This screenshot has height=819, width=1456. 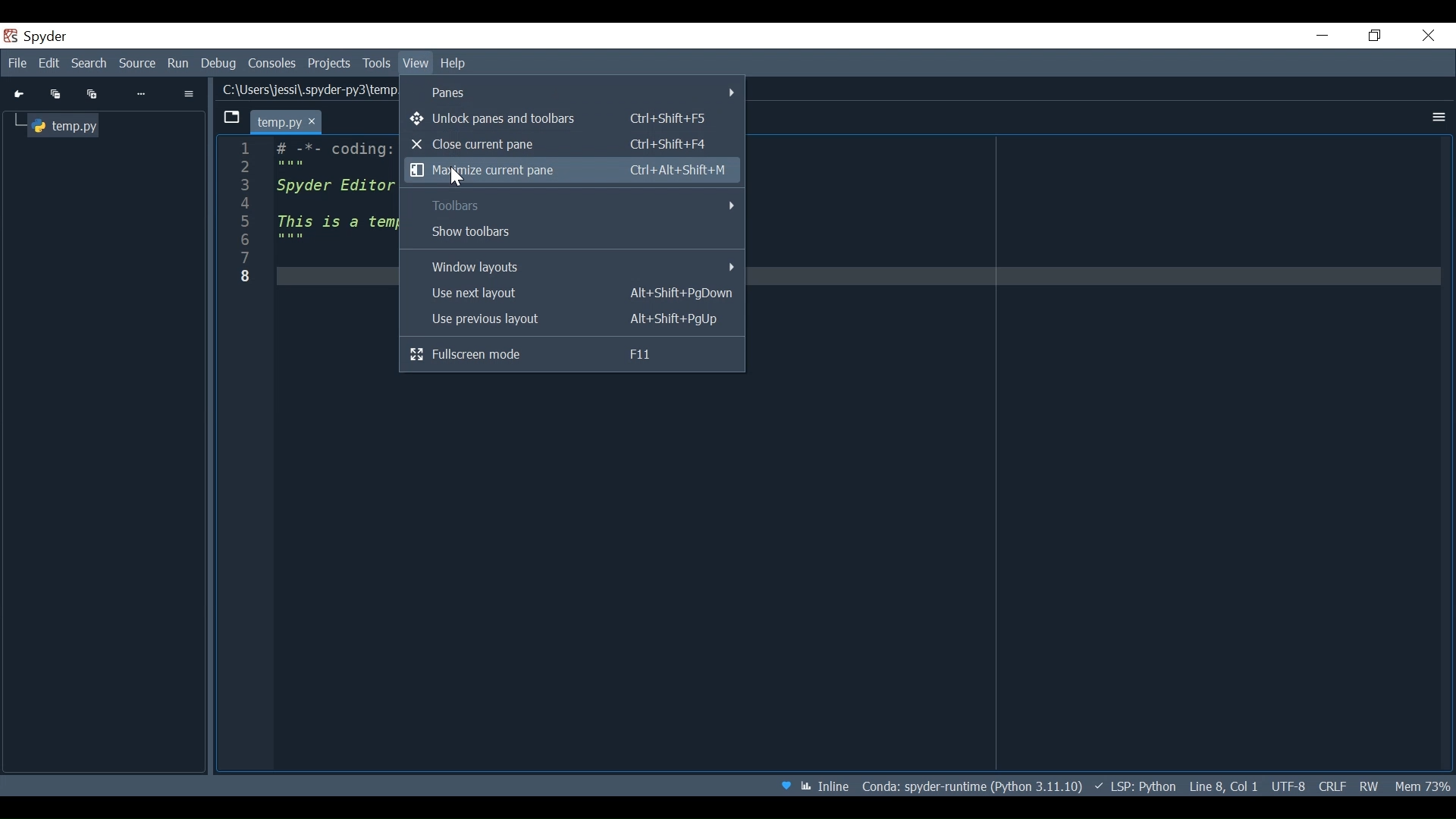 I want to click on Expand all, so click(x=93, y=93).